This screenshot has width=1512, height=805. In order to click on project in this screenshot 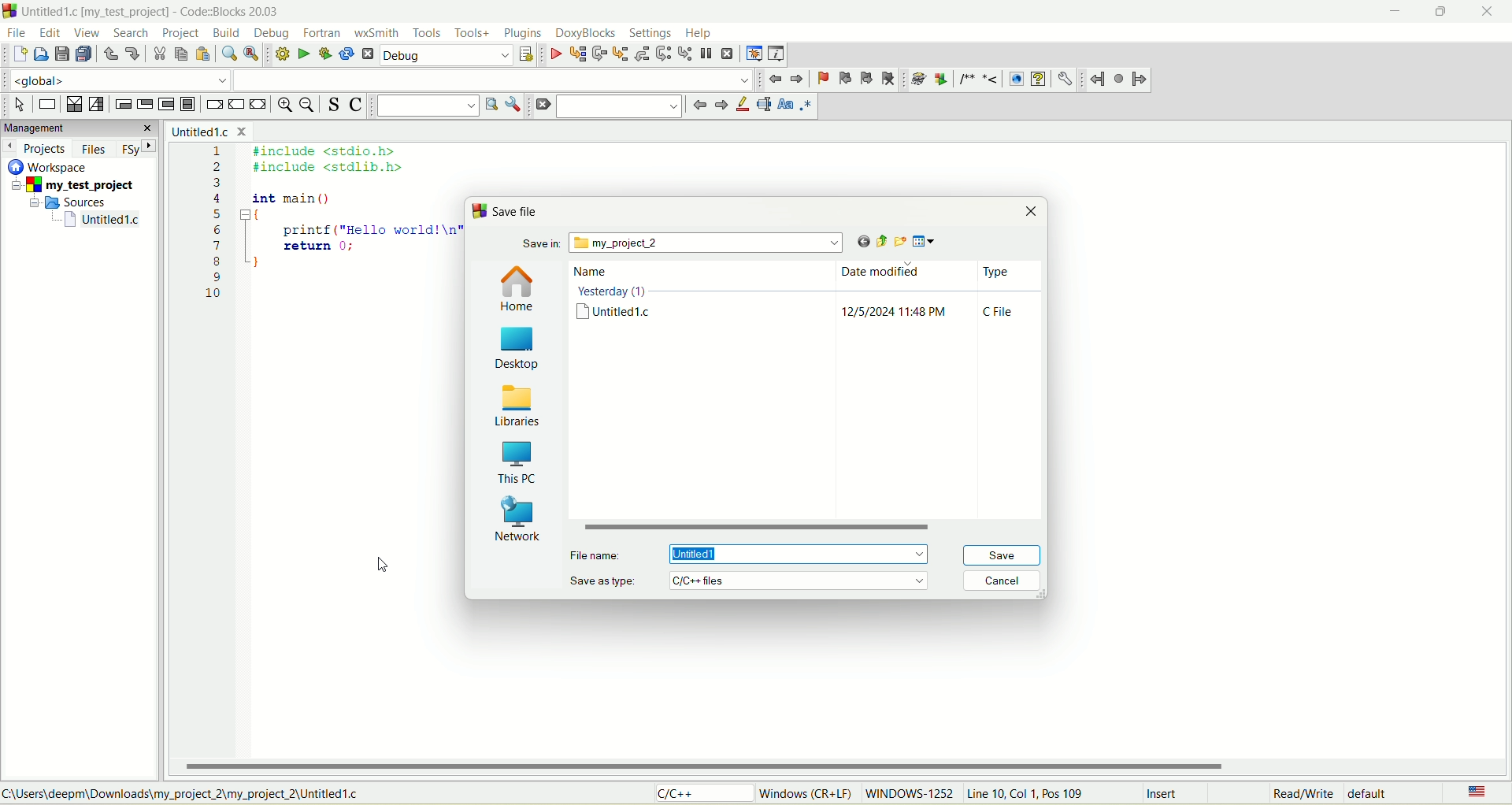, I will do `click(76, 186)`.